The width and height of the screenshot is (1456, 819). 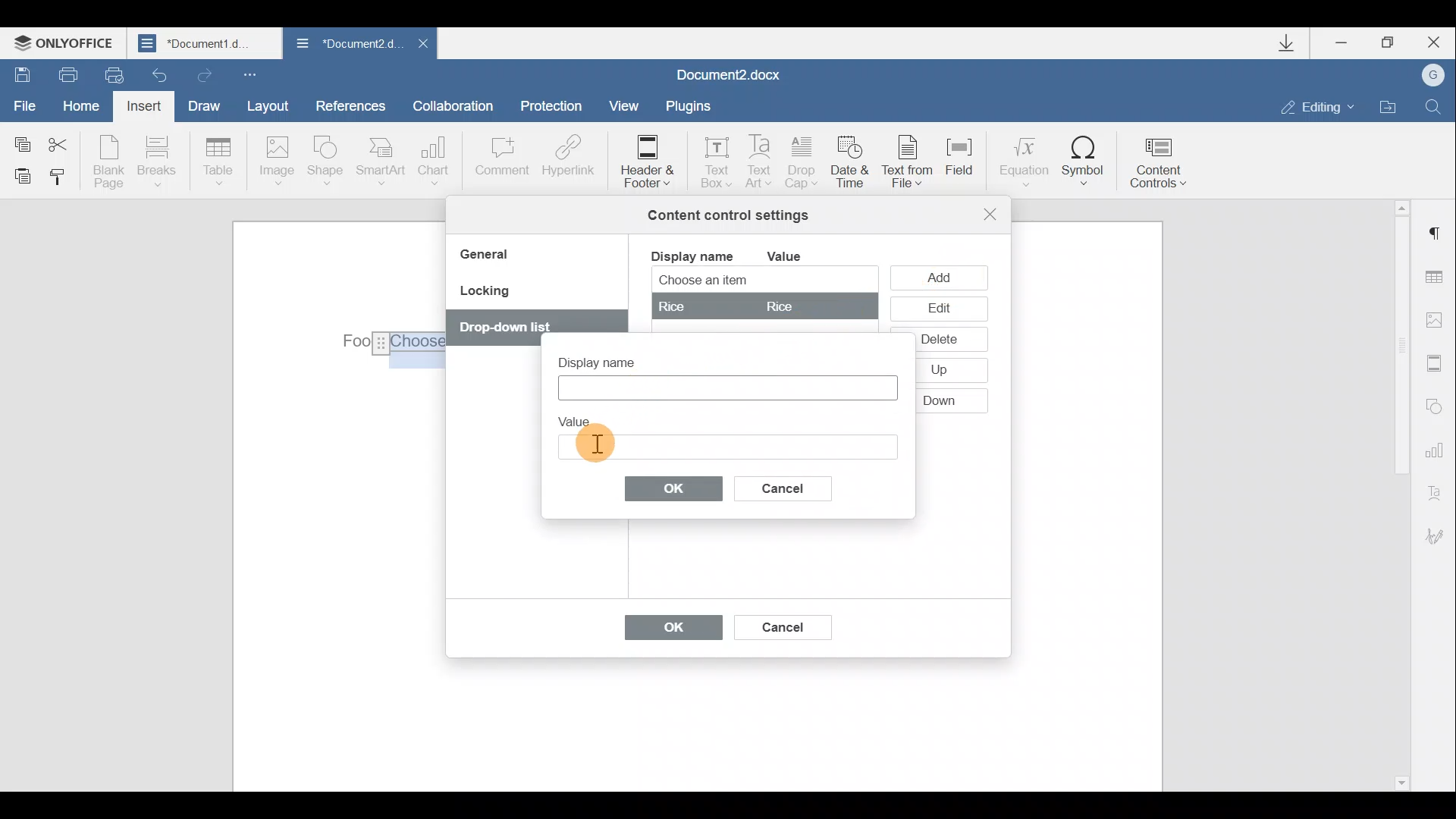 I want to click on Home, so click(x=86, y=108).